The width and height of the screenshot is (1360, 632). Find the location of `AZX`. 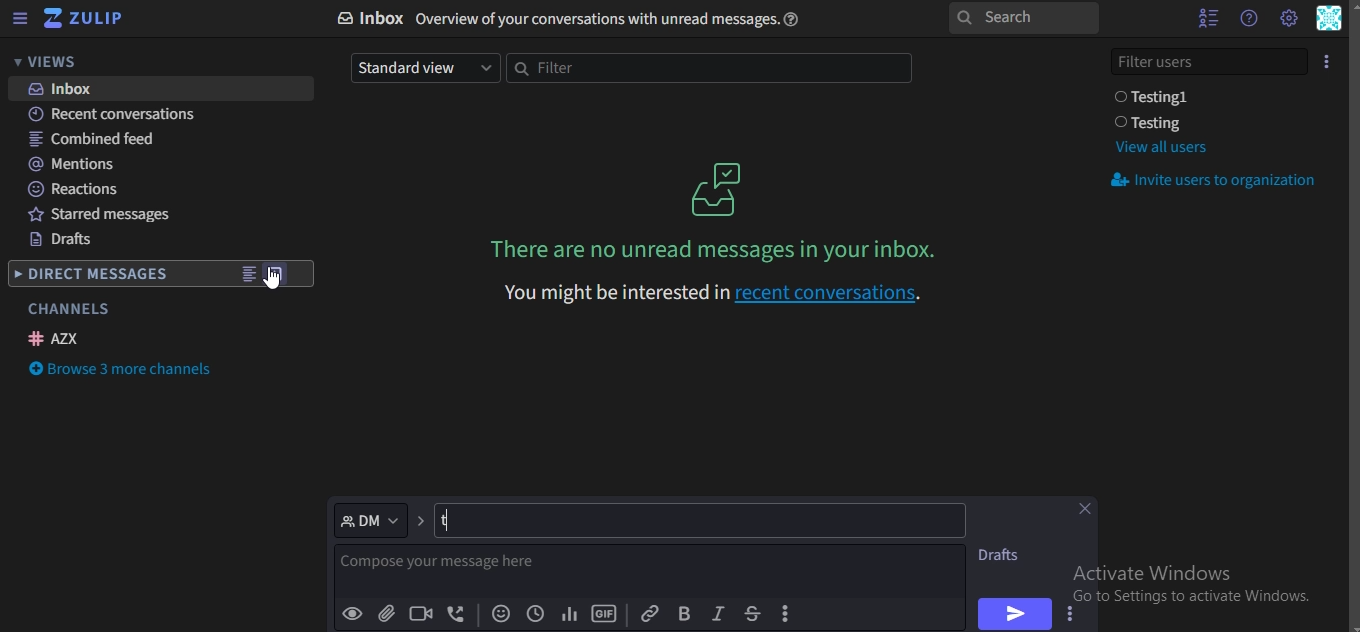

AZX is located at coordinates (57, 338).